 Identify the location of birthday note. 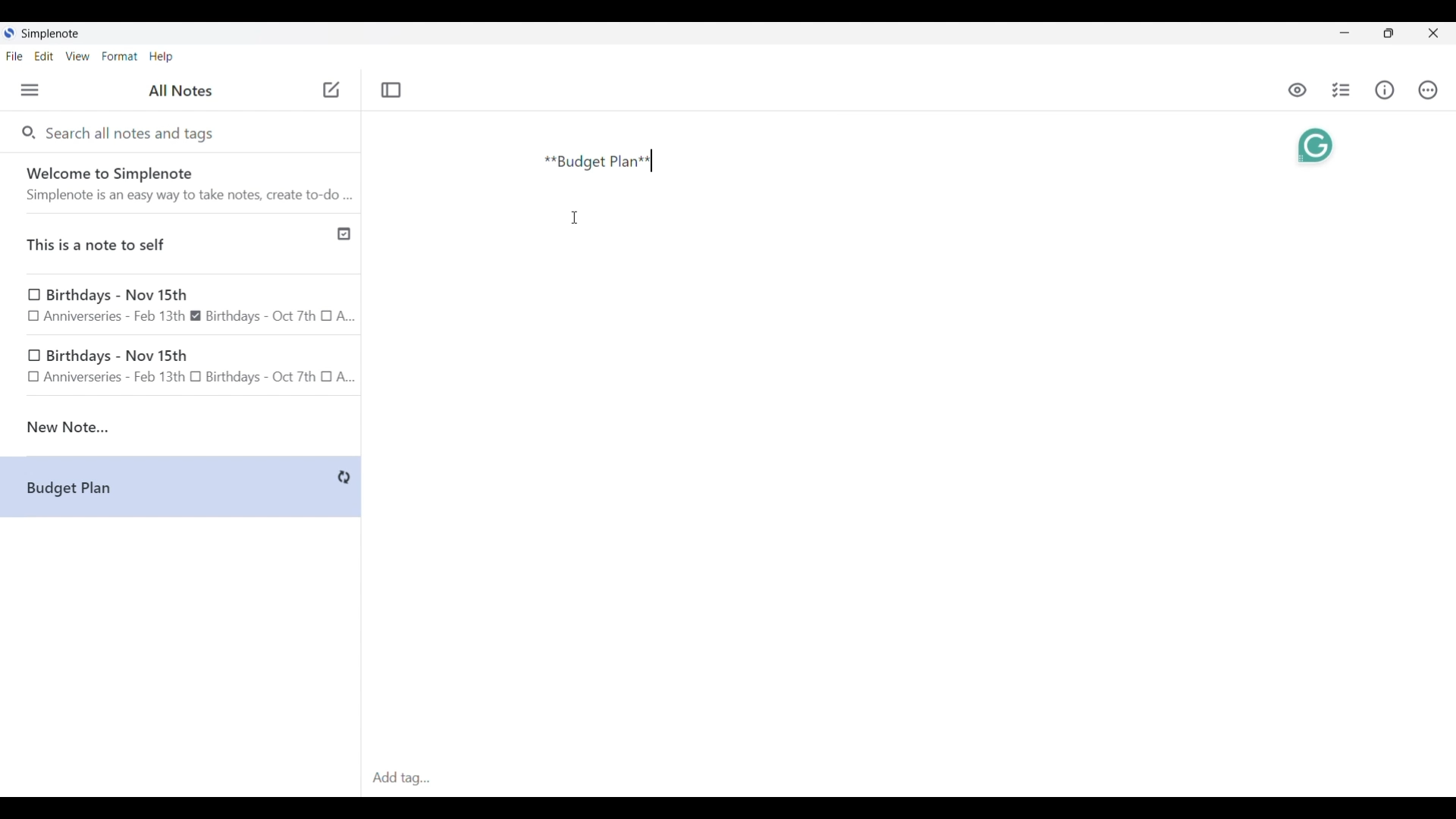
(182, 369).